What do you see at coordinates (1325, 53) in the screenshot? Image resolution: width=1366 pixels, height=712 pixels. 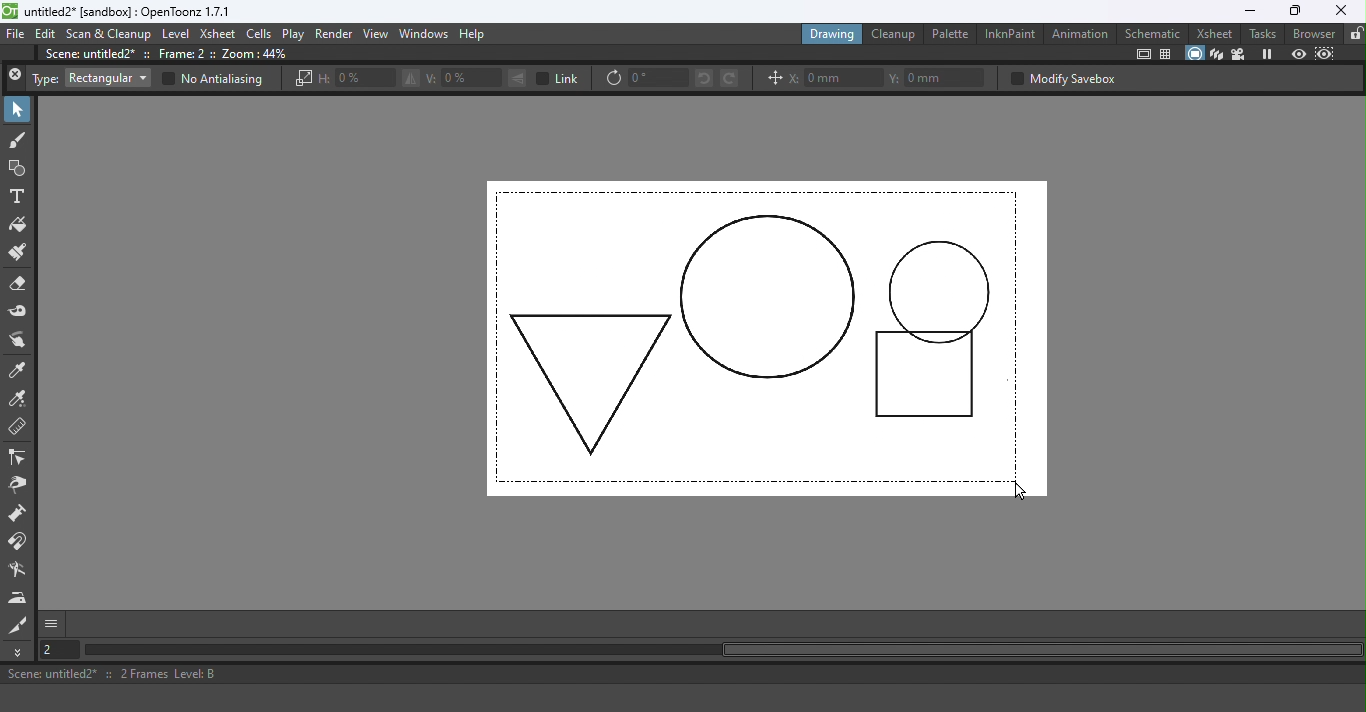 I see `Sub-camera preview` at bounding box center [1325, 53].